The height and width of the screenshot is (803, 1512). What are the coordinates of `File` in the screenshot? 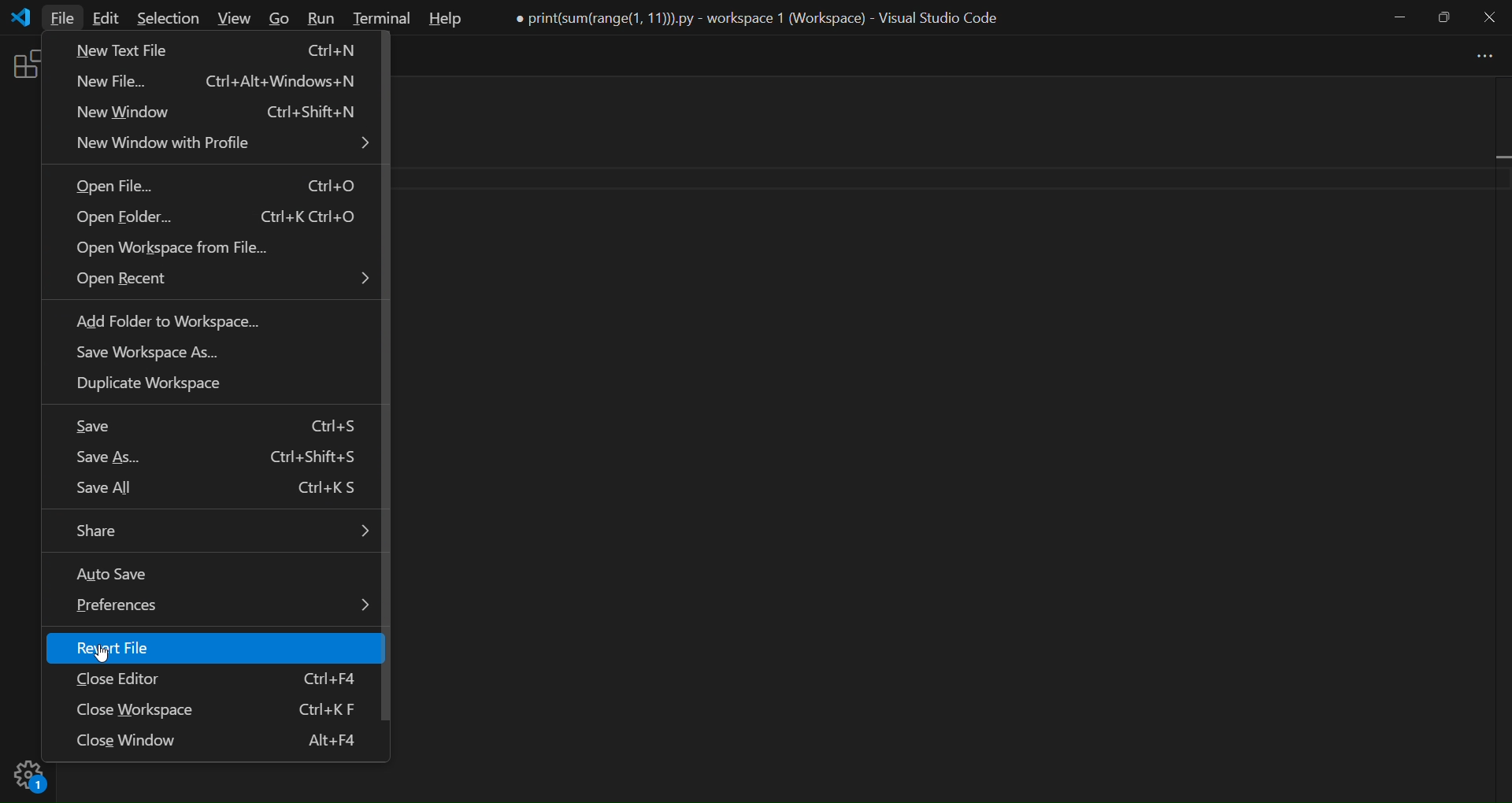 It's located at (61, 18).